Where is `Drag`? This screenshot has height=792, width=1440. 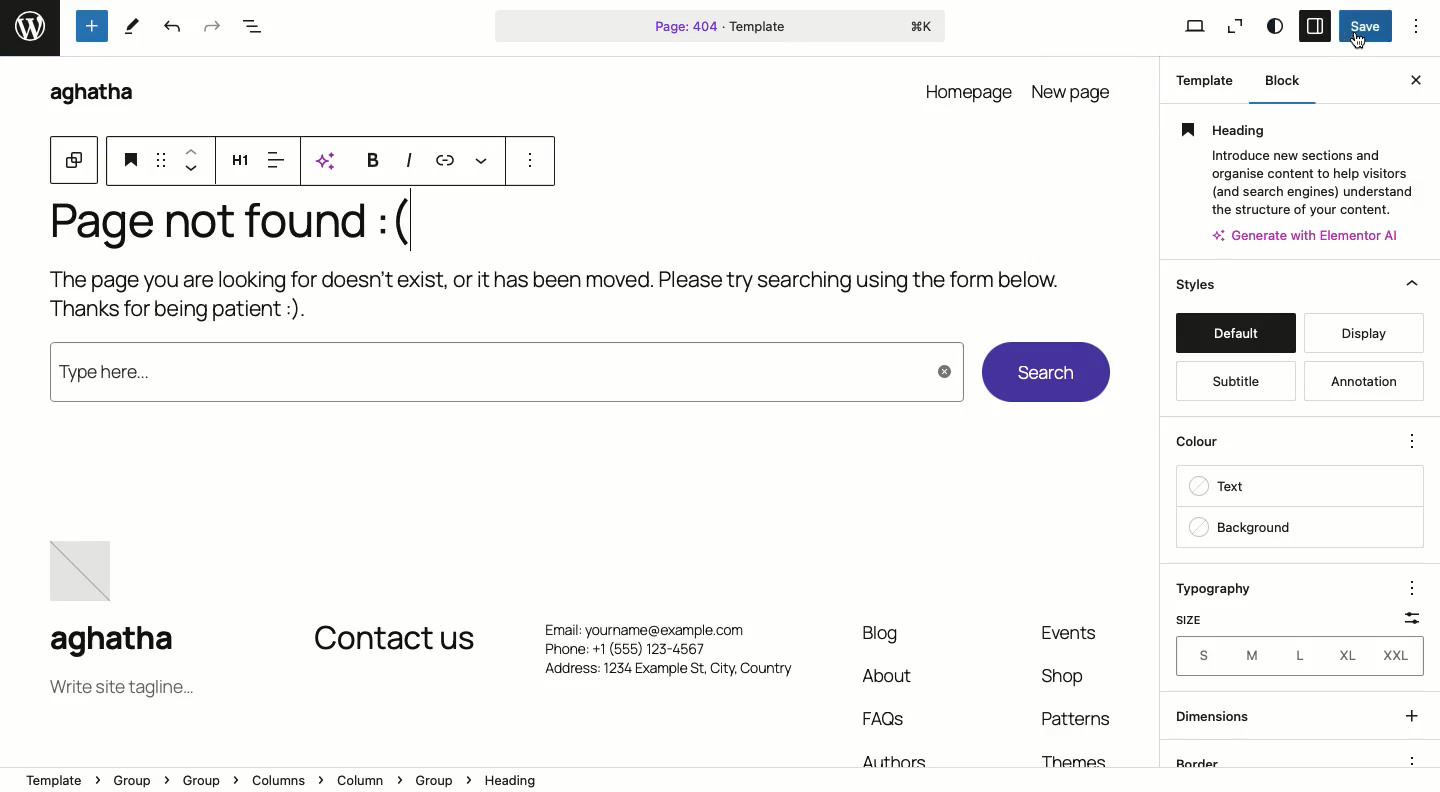 Drag is located at coordinates (161, 159).